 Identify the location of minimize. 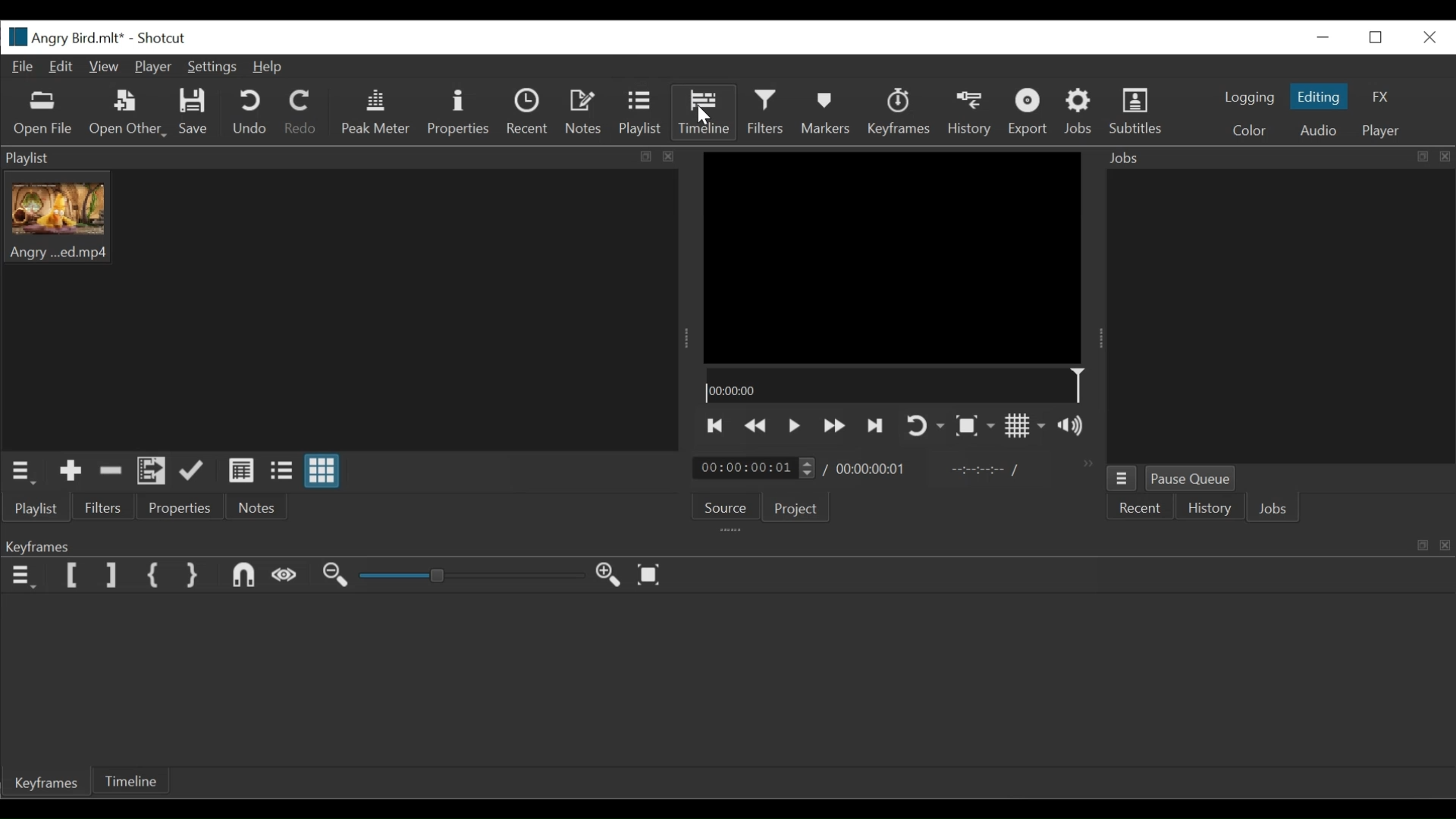
(1325, 36).